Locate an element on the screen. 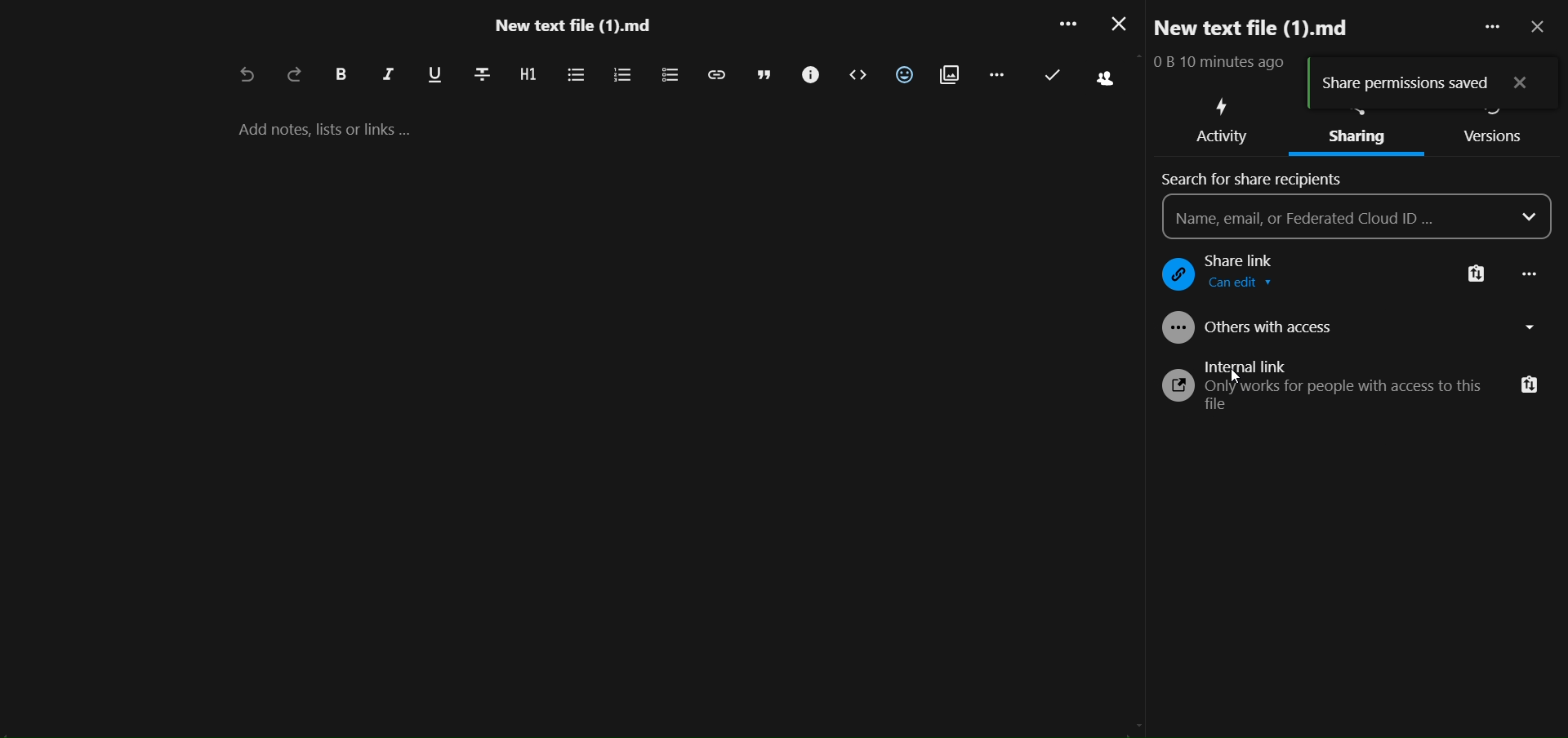  last saved is located at coordinates (1053, 75).